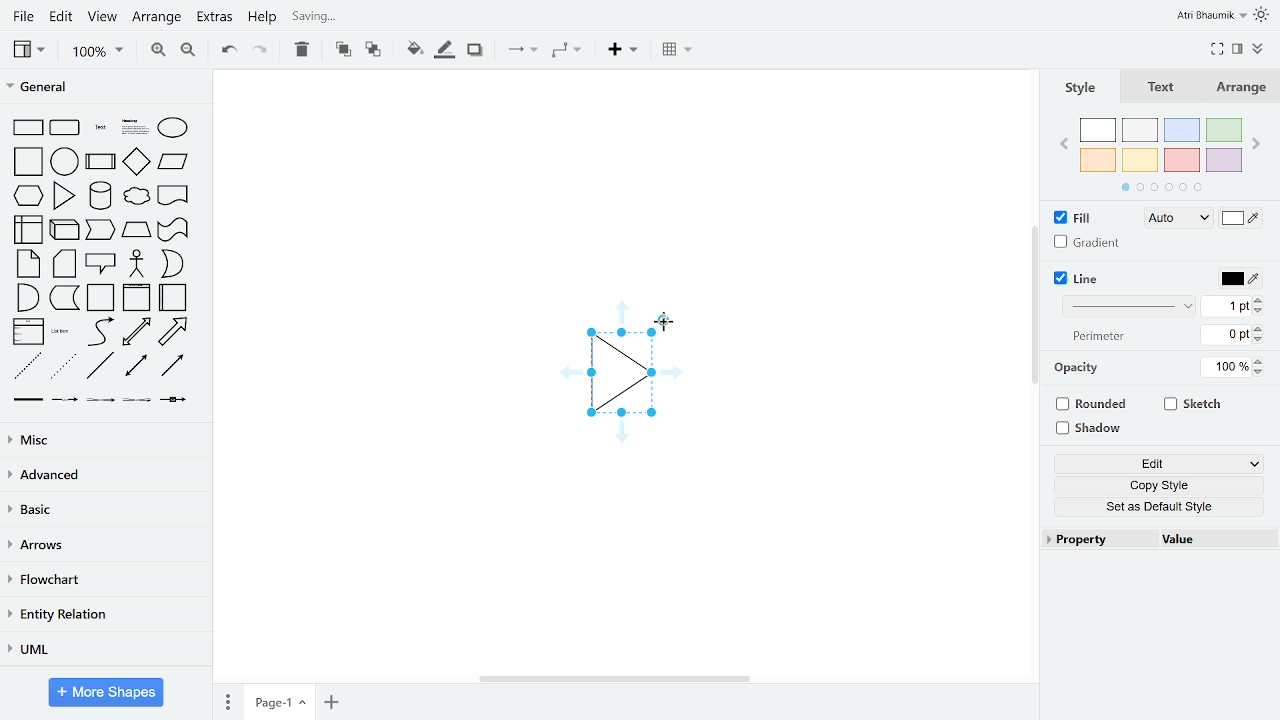 Image resolution: width=1280 pixels, height=720 pixels. I want to click on increase perimeter, so click(1259, 328).